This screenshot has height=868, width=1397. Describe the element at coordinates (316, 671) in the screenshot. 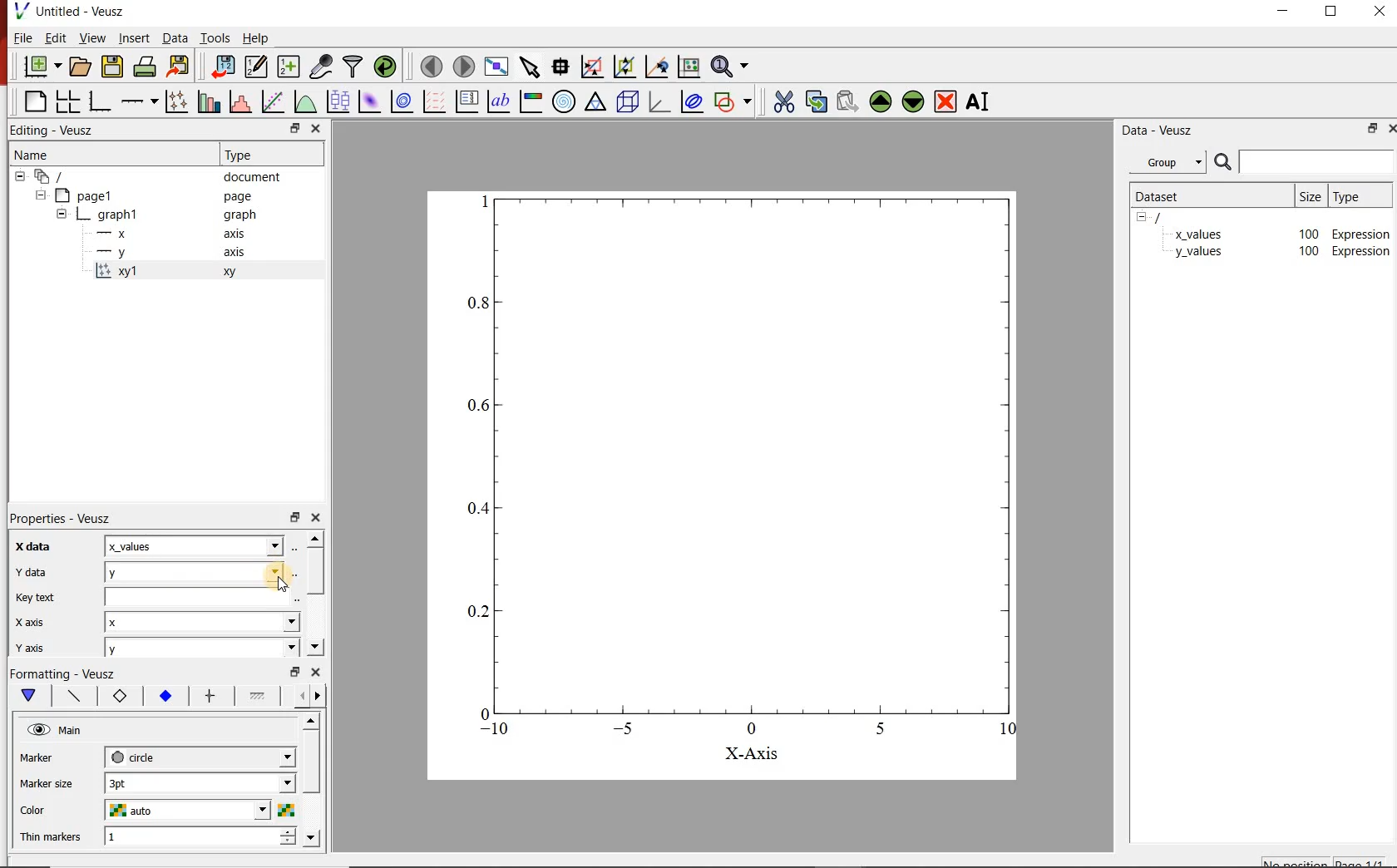

I see `close` at that location.